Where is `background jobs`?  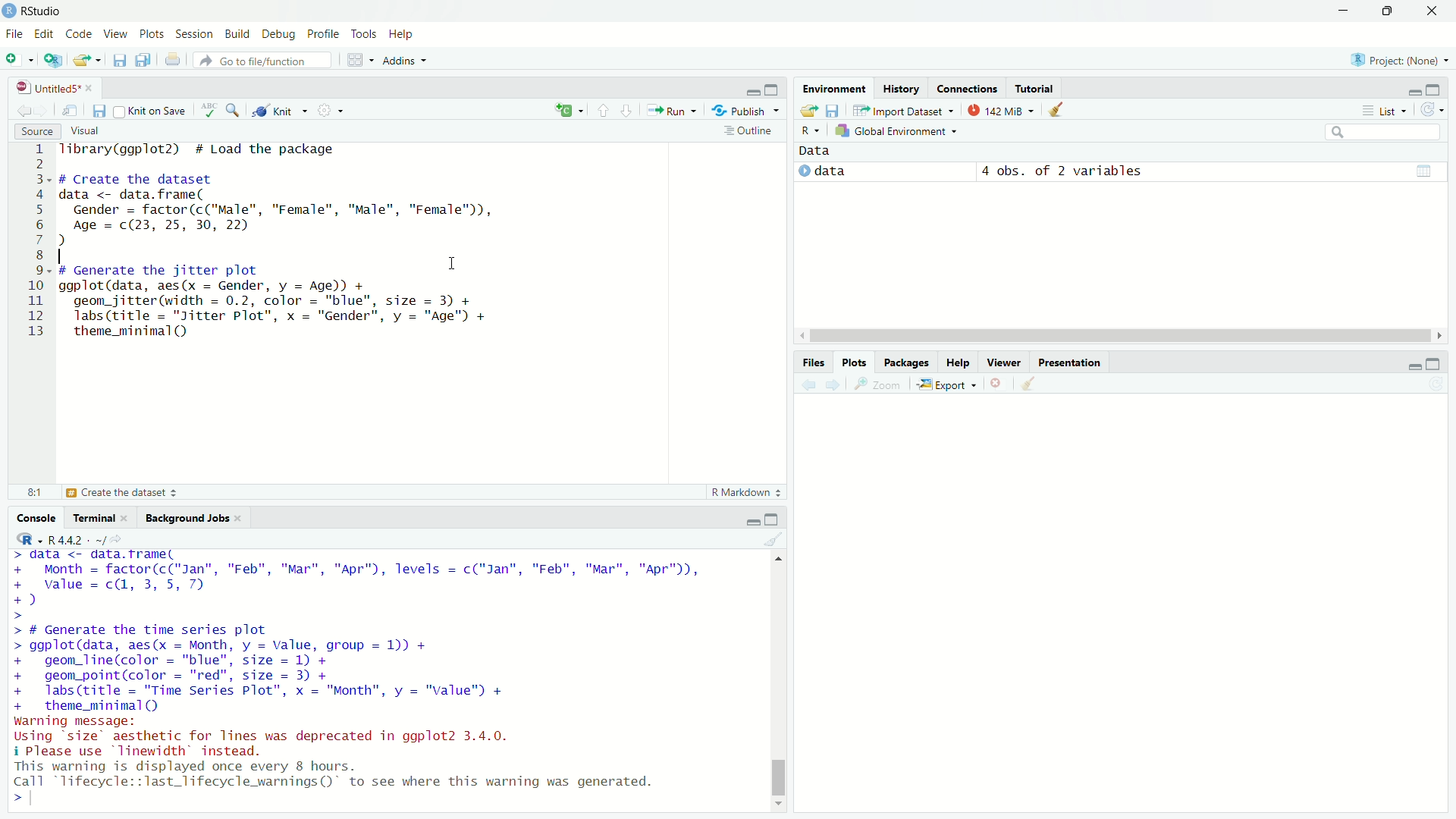
background jobs is located at coordinates (188, 516).